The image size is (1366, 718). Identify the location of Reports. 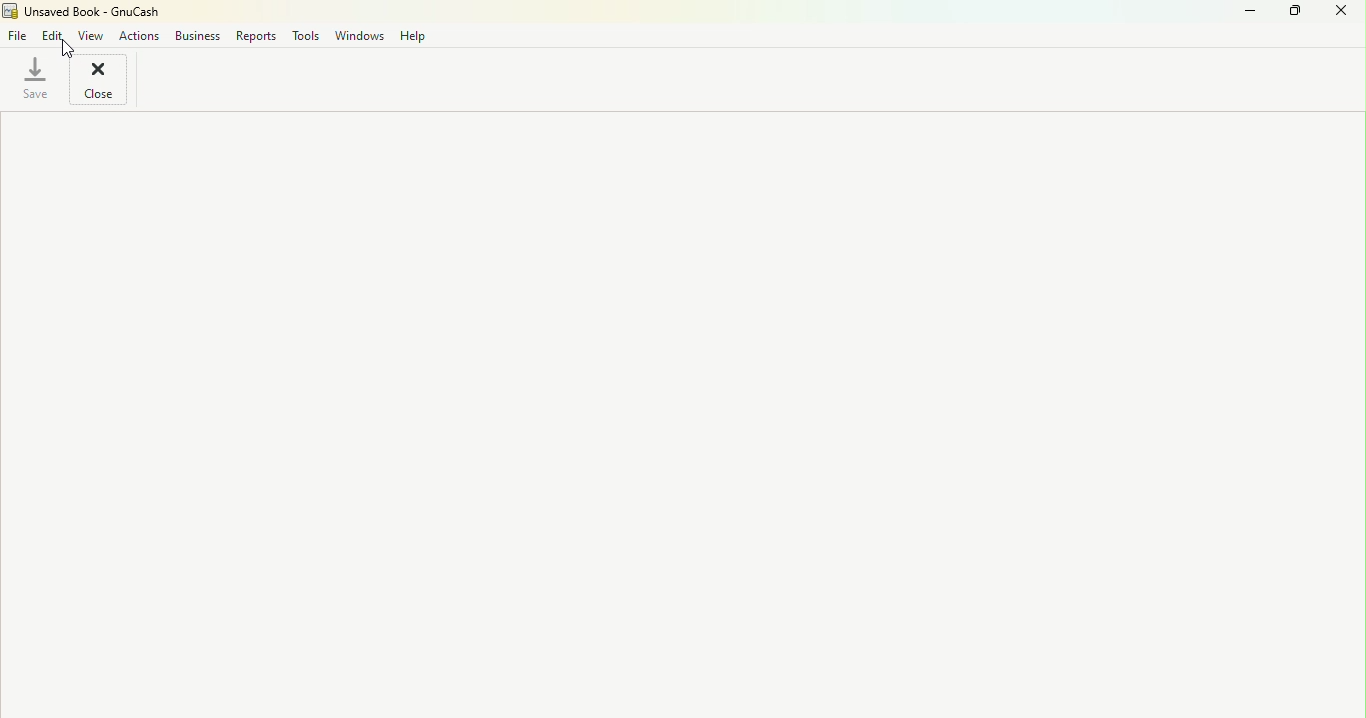
(256, 36).